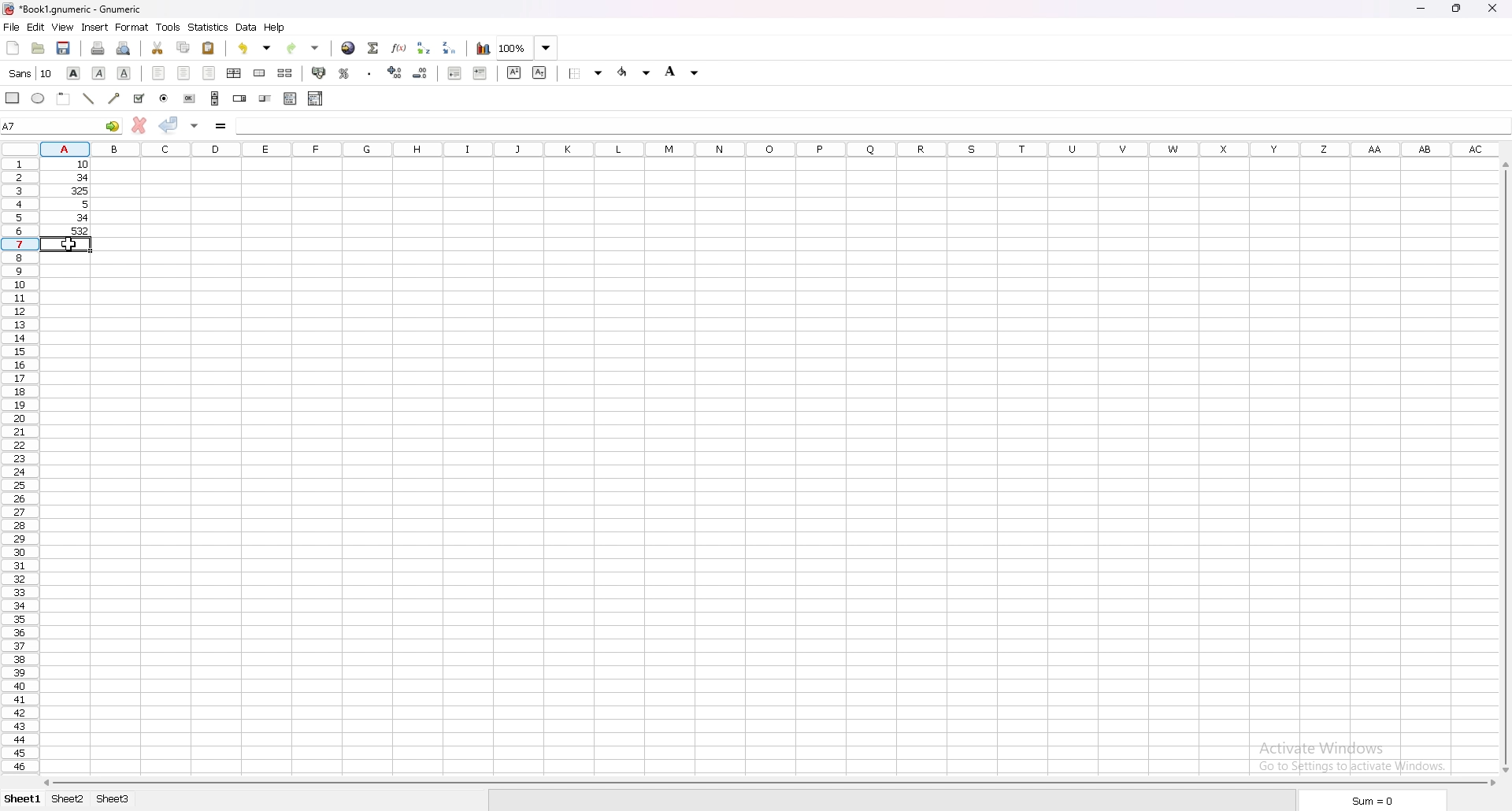 The image size is (1512, 811). What do you see at coordinates (315, 97) in the screenshot?
I see `combo box` at bounding box center [315, 97].